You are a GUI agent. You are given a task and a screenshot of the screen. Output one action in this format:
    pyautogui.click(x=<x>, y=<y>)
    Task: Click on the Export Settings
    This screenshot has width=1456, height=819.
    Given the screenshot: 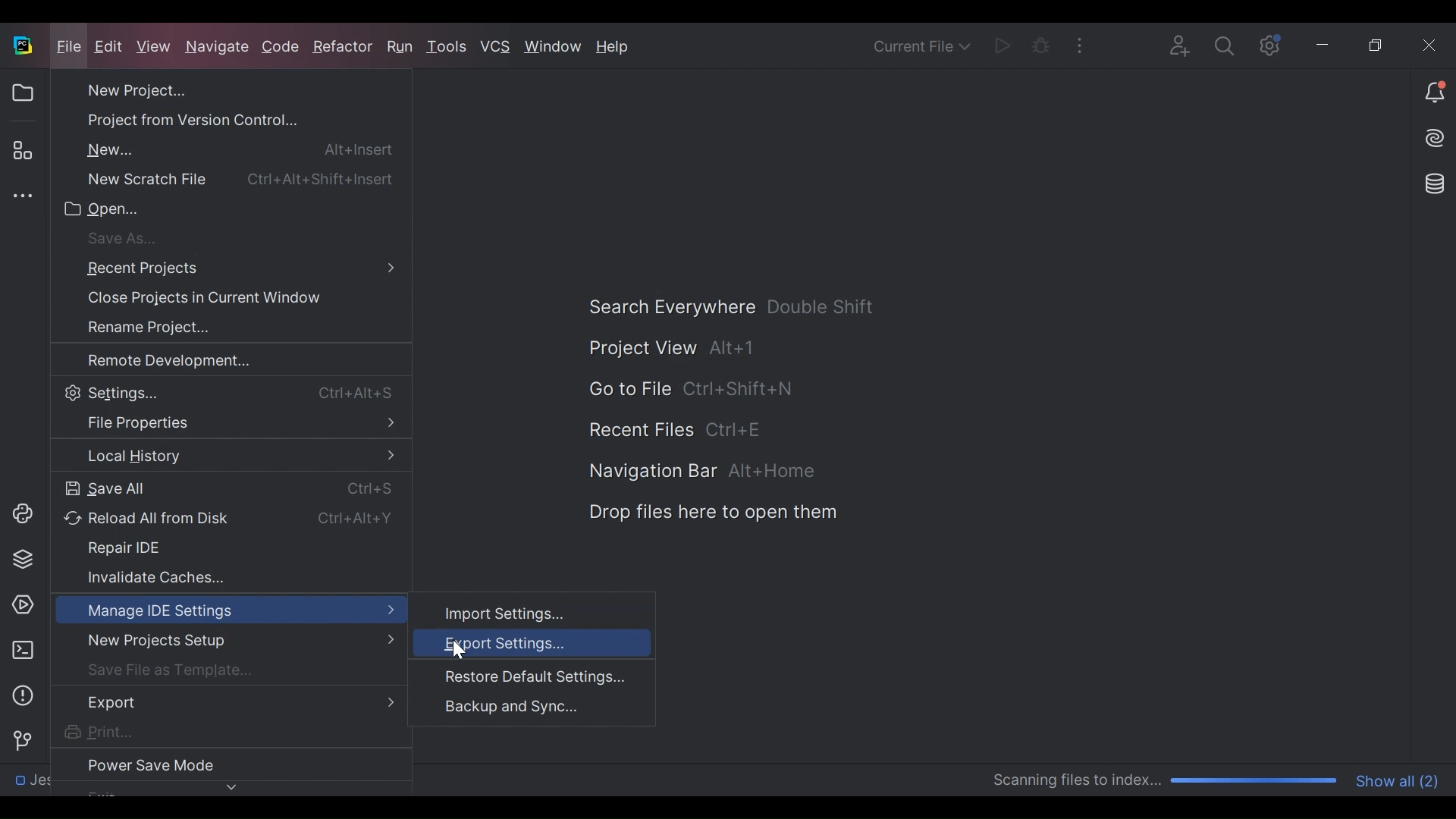 What is the action you would take?
    pyautogui.click(x=532, y=644)
    